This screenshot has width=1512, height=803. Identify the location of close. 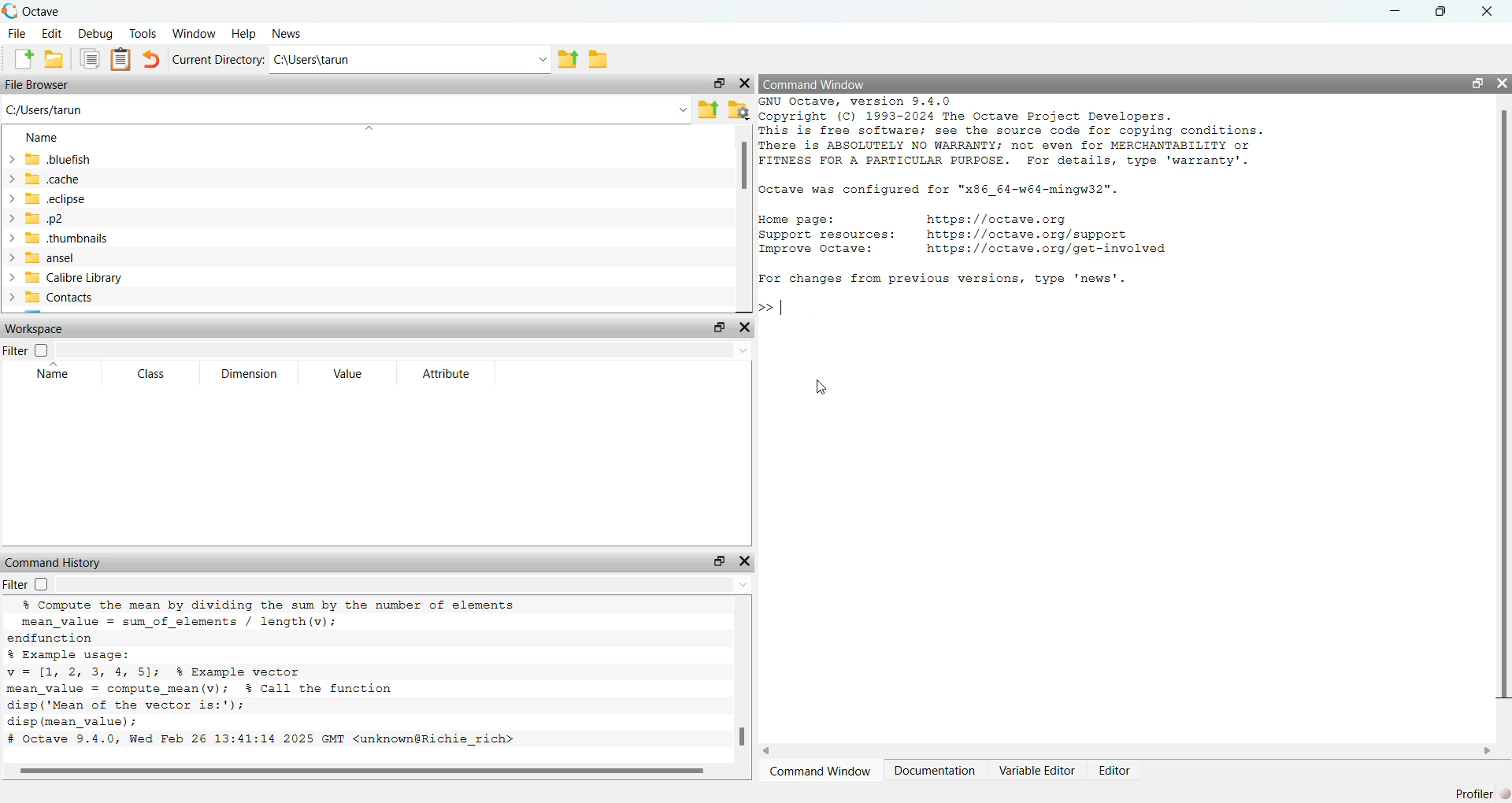
(1502, 83).